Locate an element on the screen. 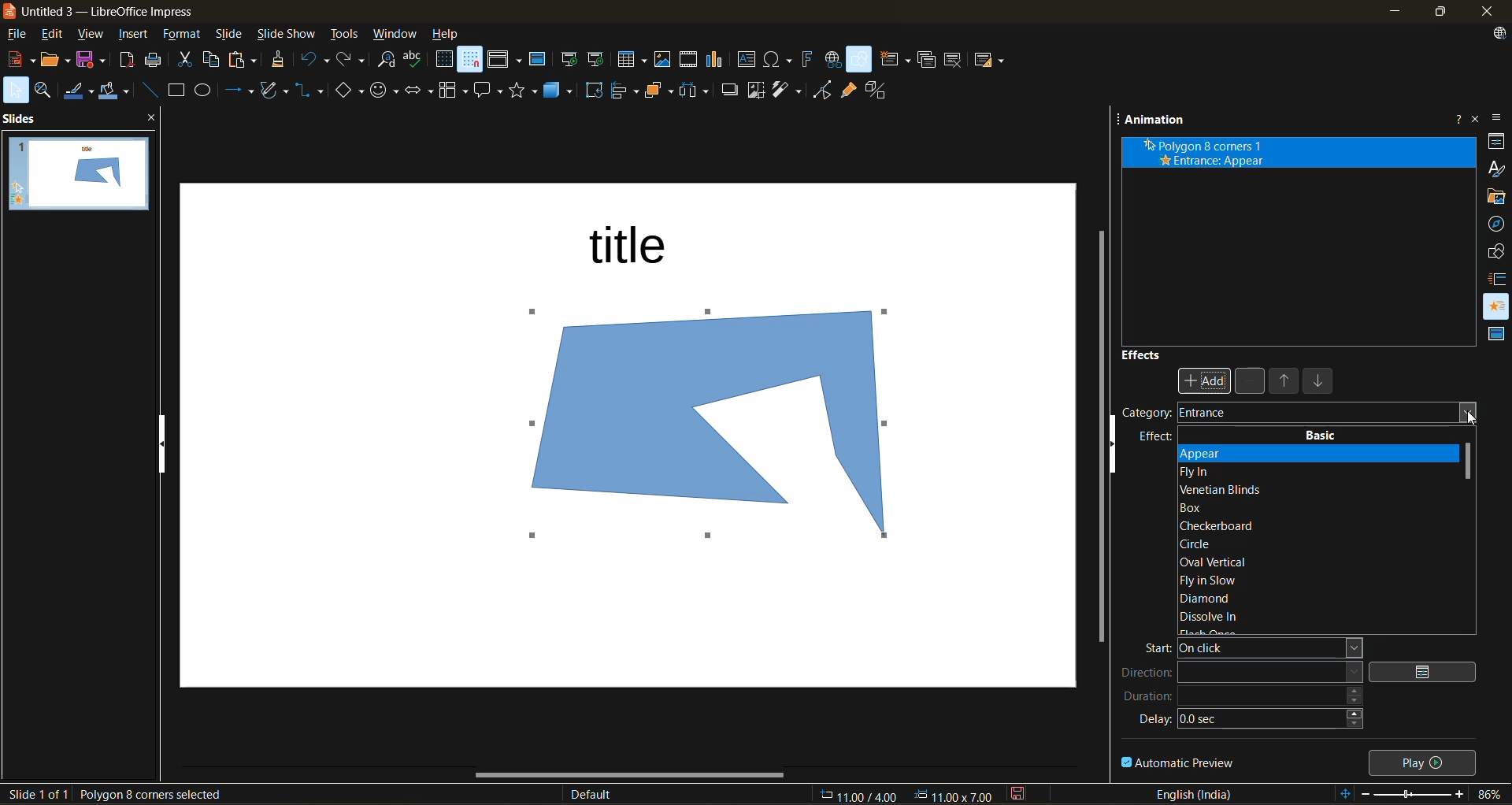 The height and width of the screenshot is (805, 1512). close pane is located at coordinates (157, 120).